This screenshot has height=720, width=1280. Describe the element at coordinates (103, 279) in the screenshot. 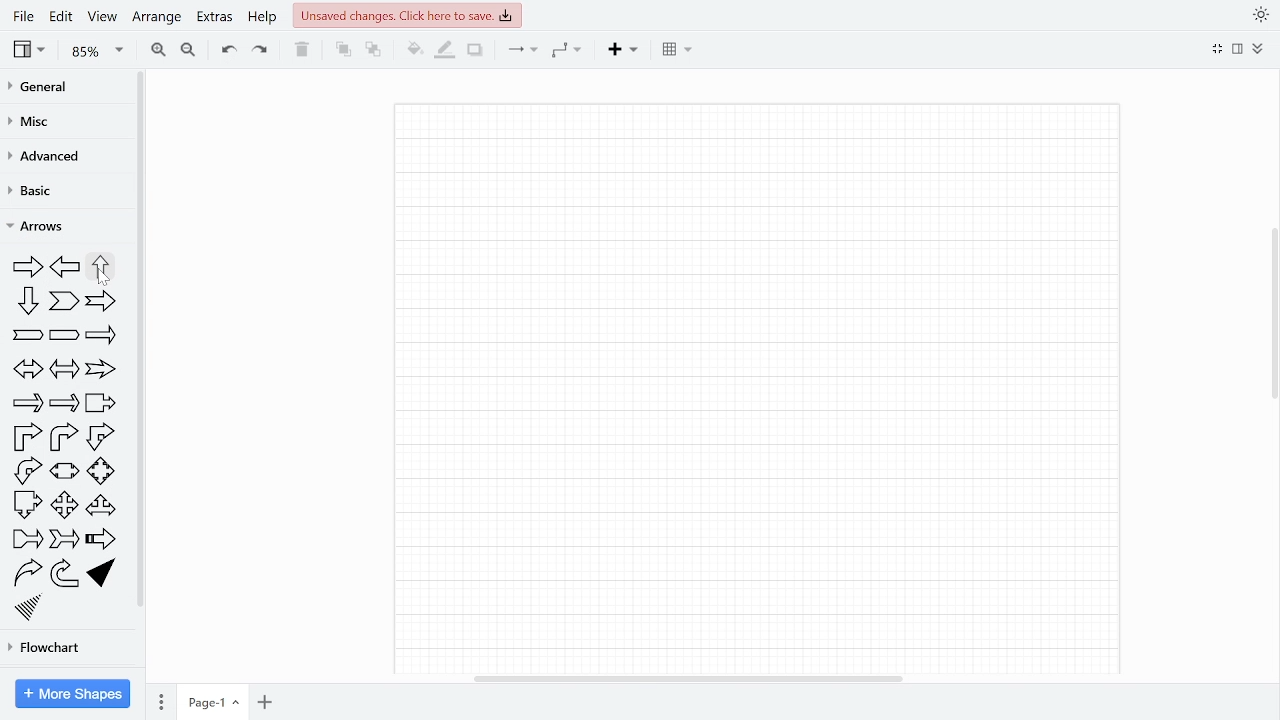

I see `cursor` at that location.